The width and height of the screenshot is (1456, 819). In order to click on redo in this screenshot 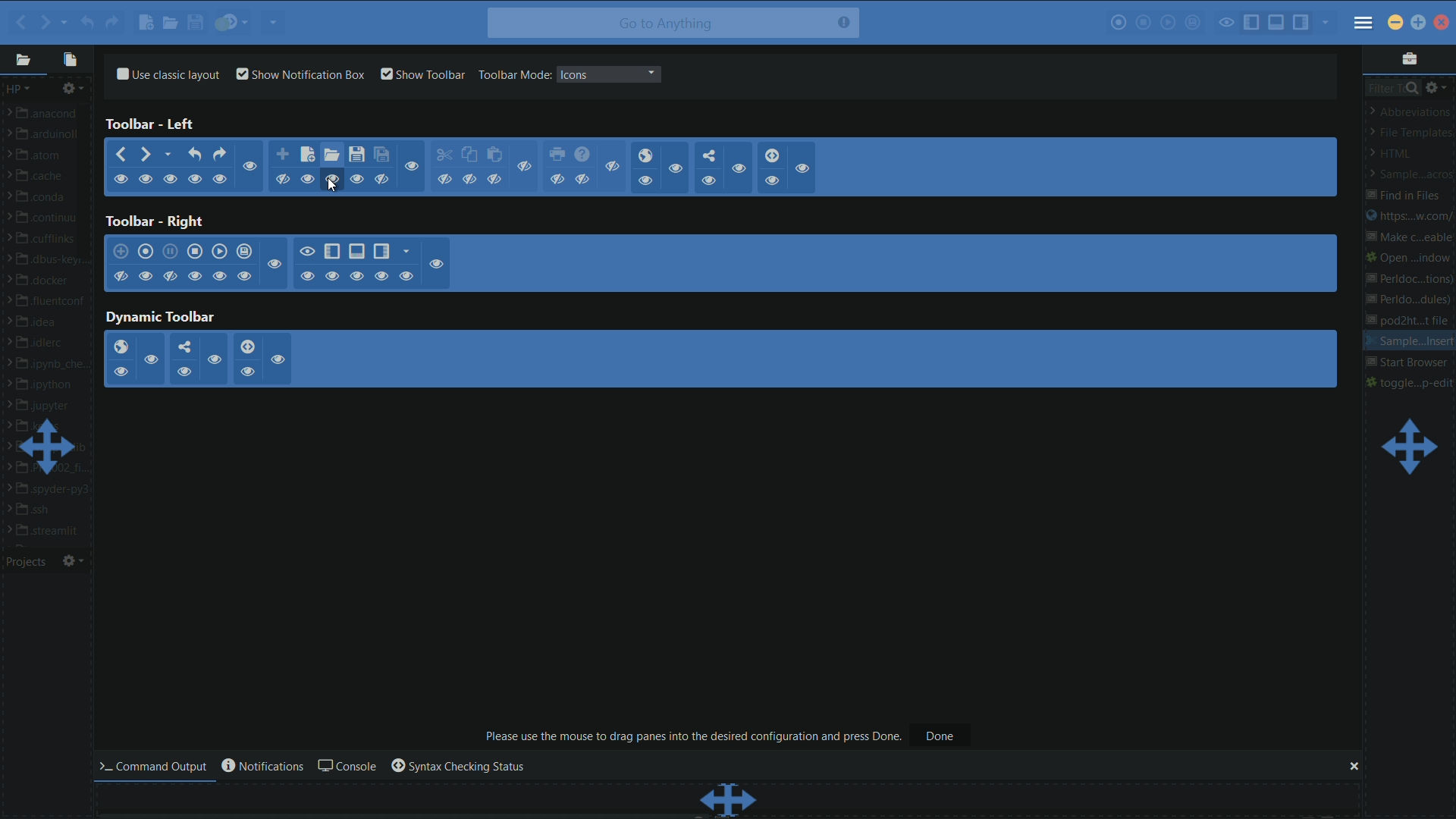, I will do `click(111, 22)`.